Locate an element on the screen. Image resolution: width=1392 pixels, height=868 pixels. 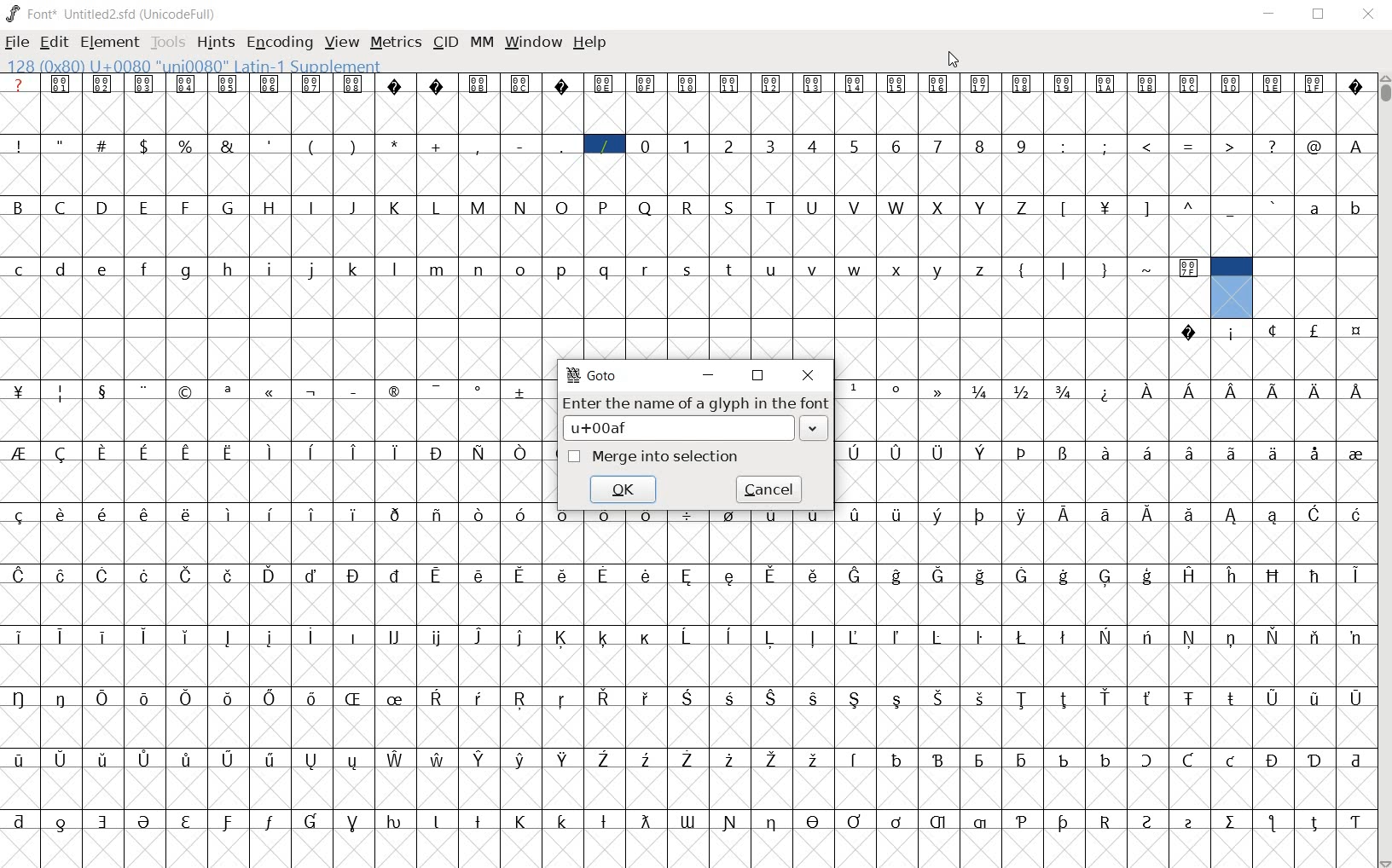
mm is located at coordinates (482, 43).